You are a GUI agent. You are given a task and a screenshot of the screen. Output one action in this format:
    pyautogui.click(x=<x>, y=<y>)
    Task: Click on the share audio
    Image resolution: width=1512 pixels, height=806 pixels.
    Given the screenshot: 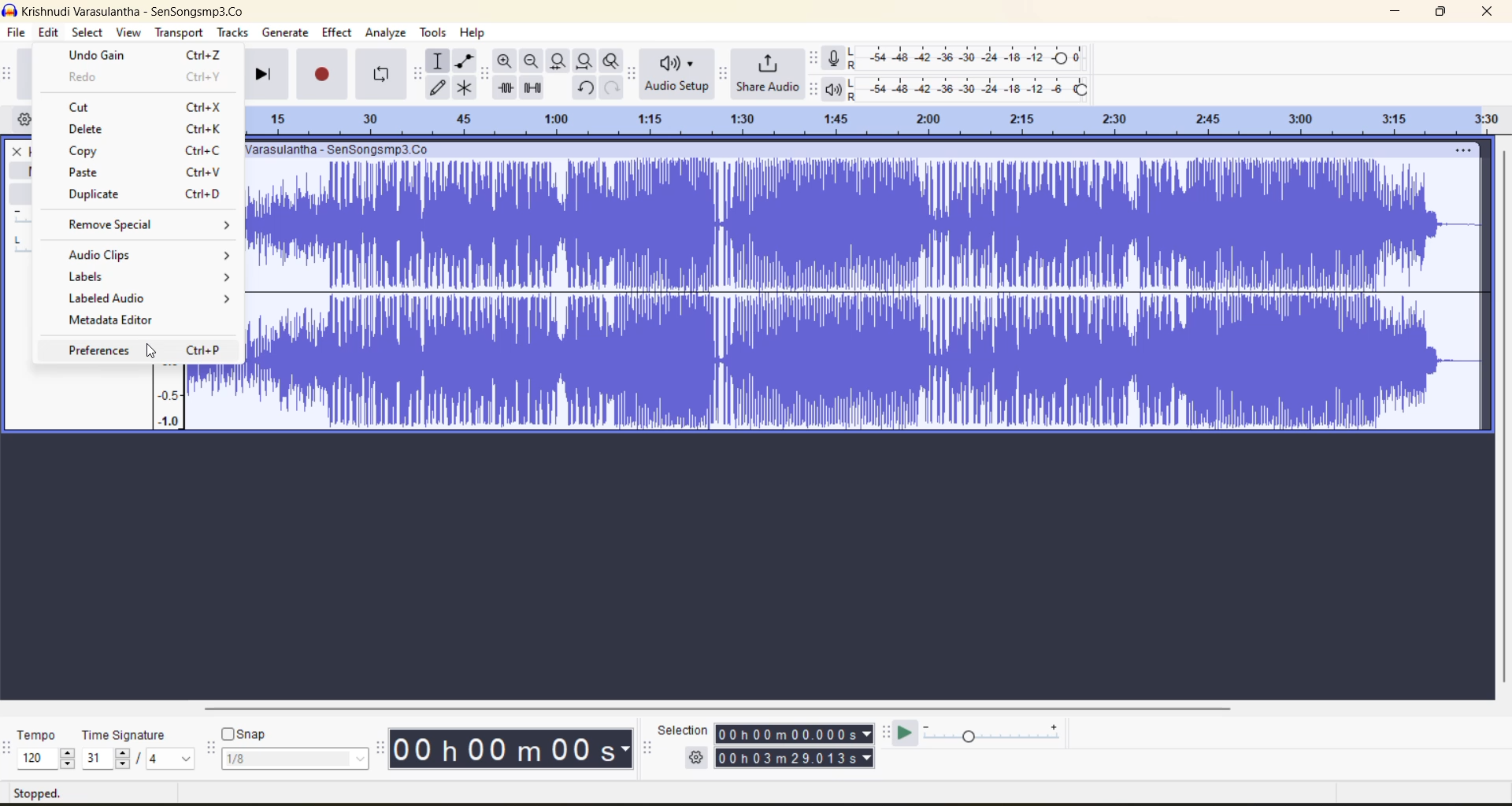 What is the action you would take?
    pyautogui.click(x=766, y=76)
    